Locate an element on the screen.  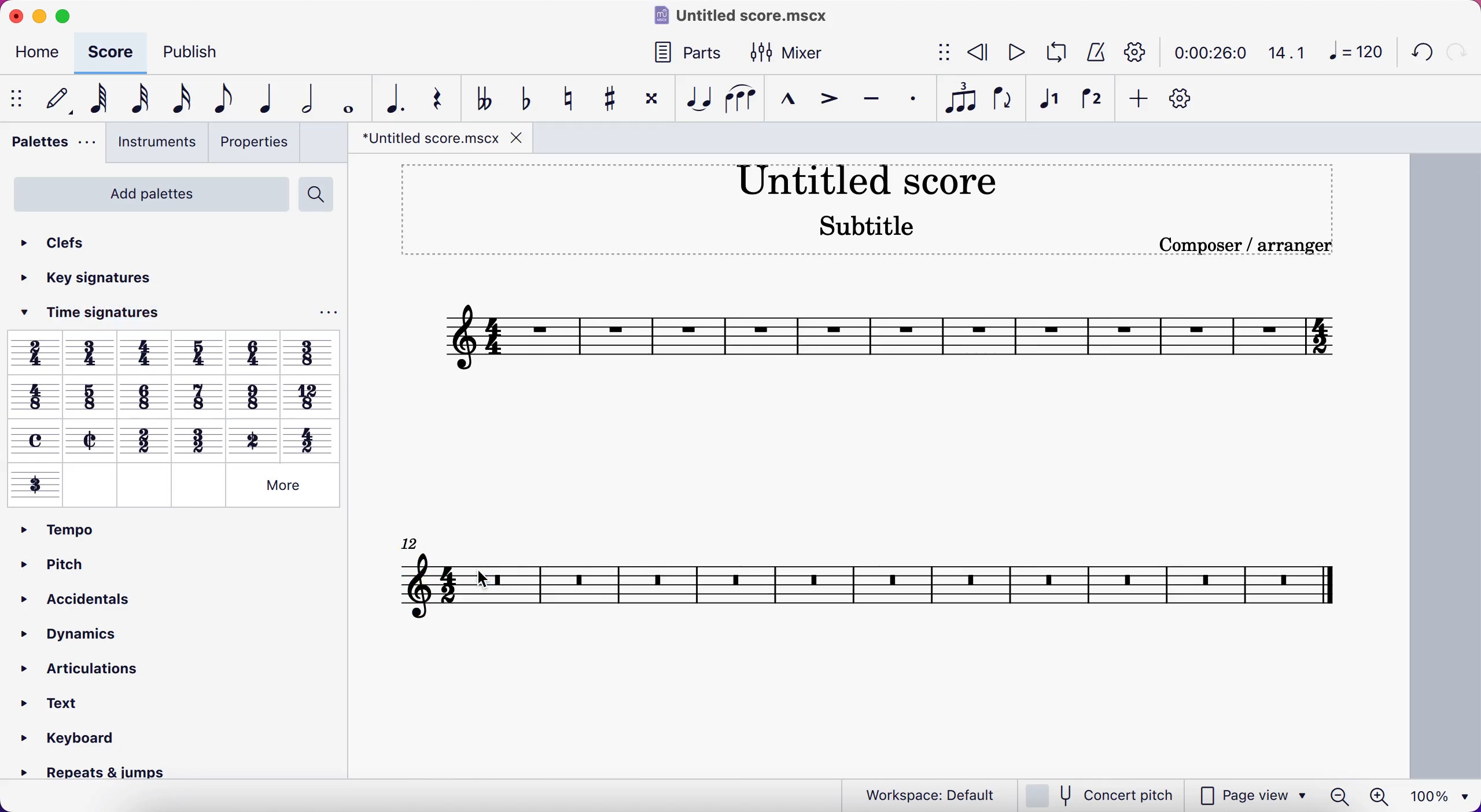
 is located at coordinates (144, 439).